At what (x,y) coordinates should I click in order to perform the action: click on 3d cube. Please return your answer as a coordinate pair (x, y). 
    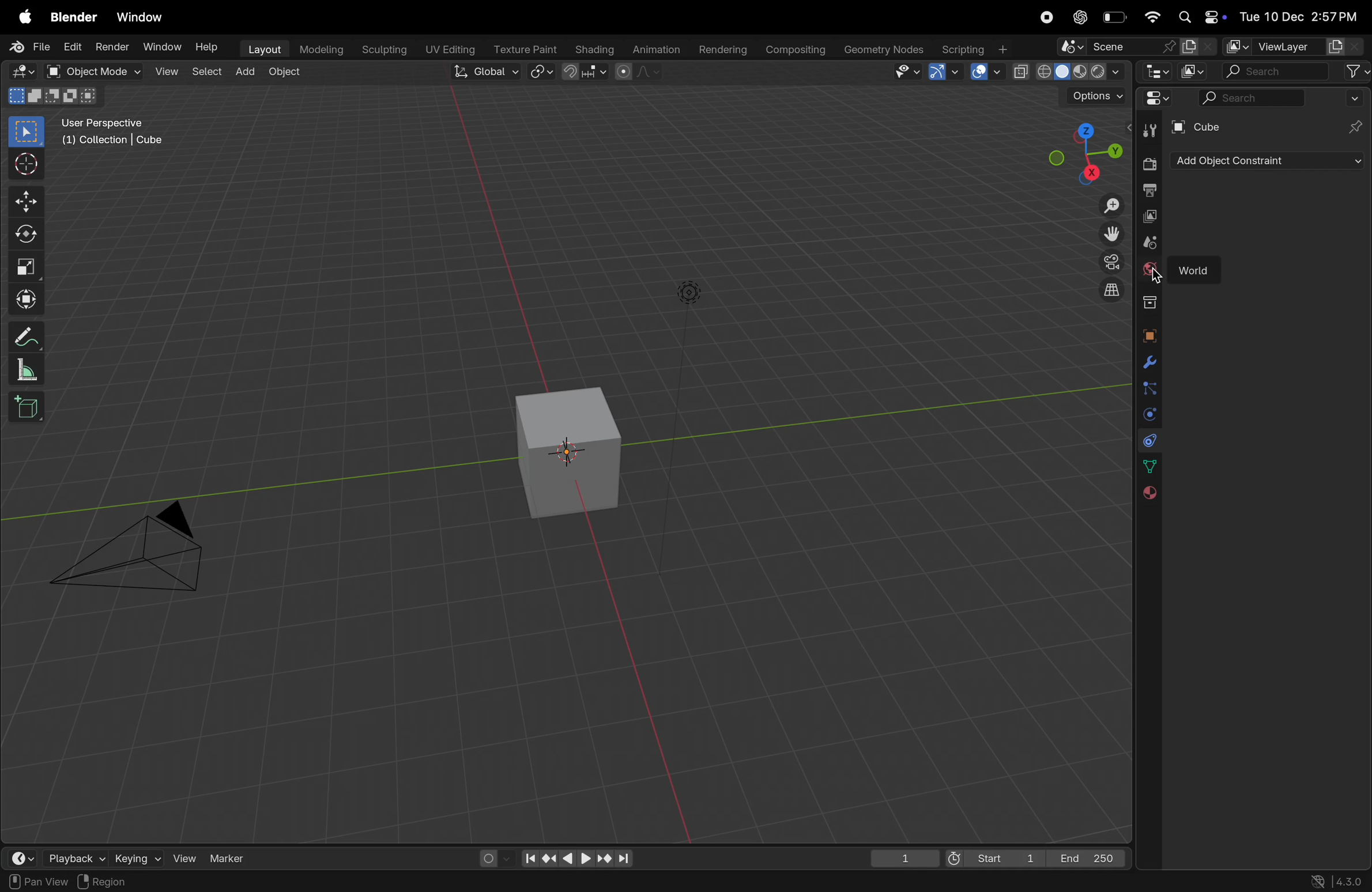
    Looking at the image, I should click on (571, 452).